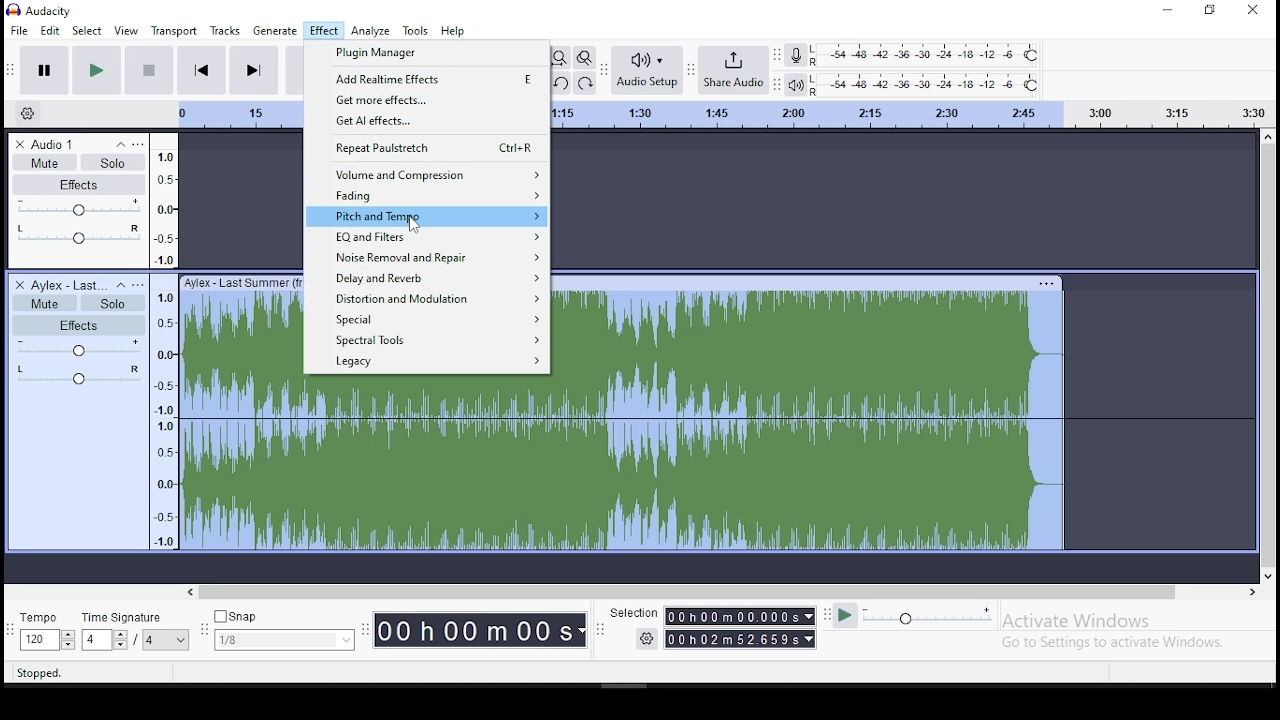  I want to click on spectral tools, so click(429, 342).